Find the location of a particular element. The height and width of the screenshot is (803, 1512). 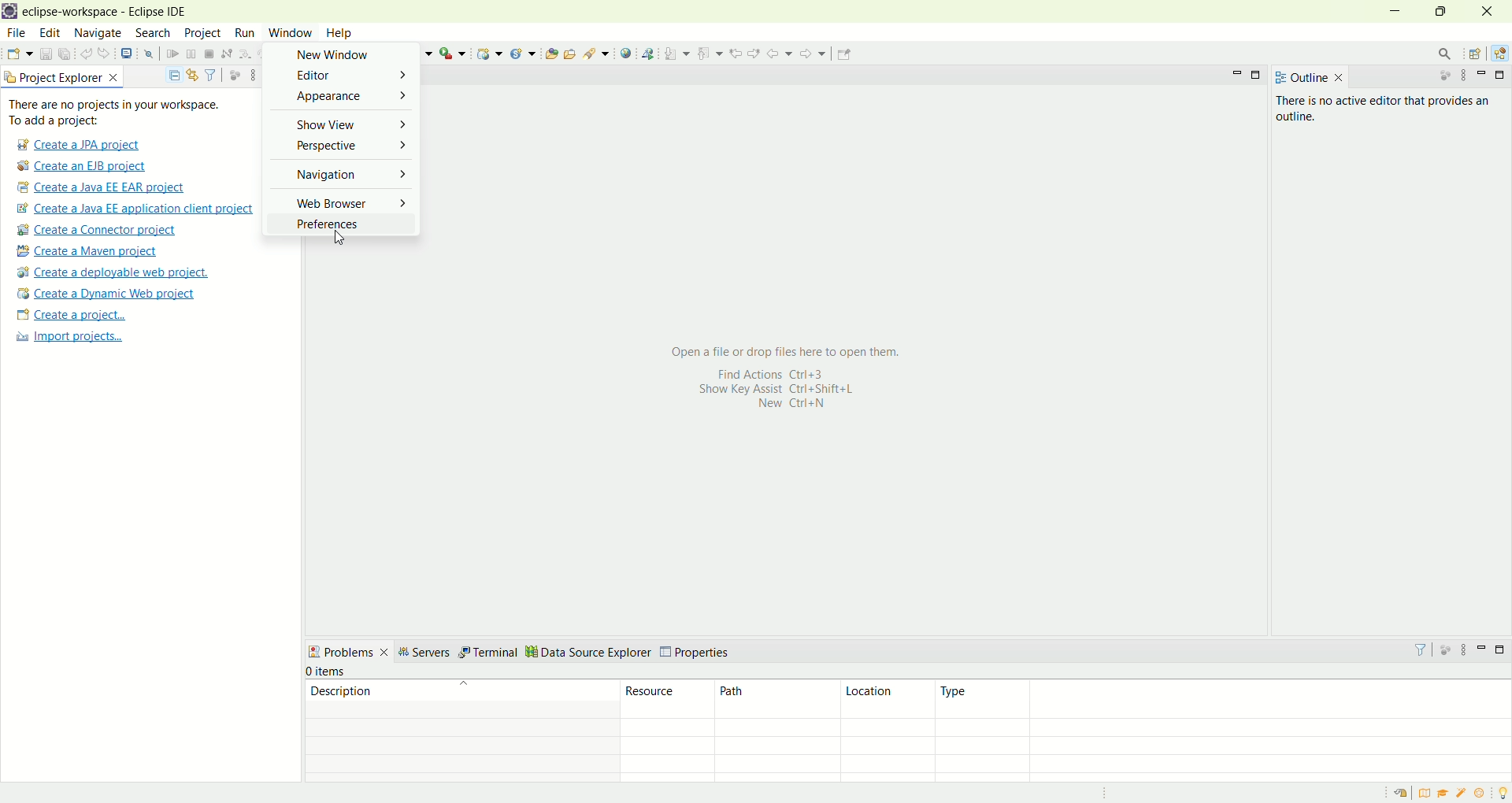

problems is located at coordinates (348, 651).